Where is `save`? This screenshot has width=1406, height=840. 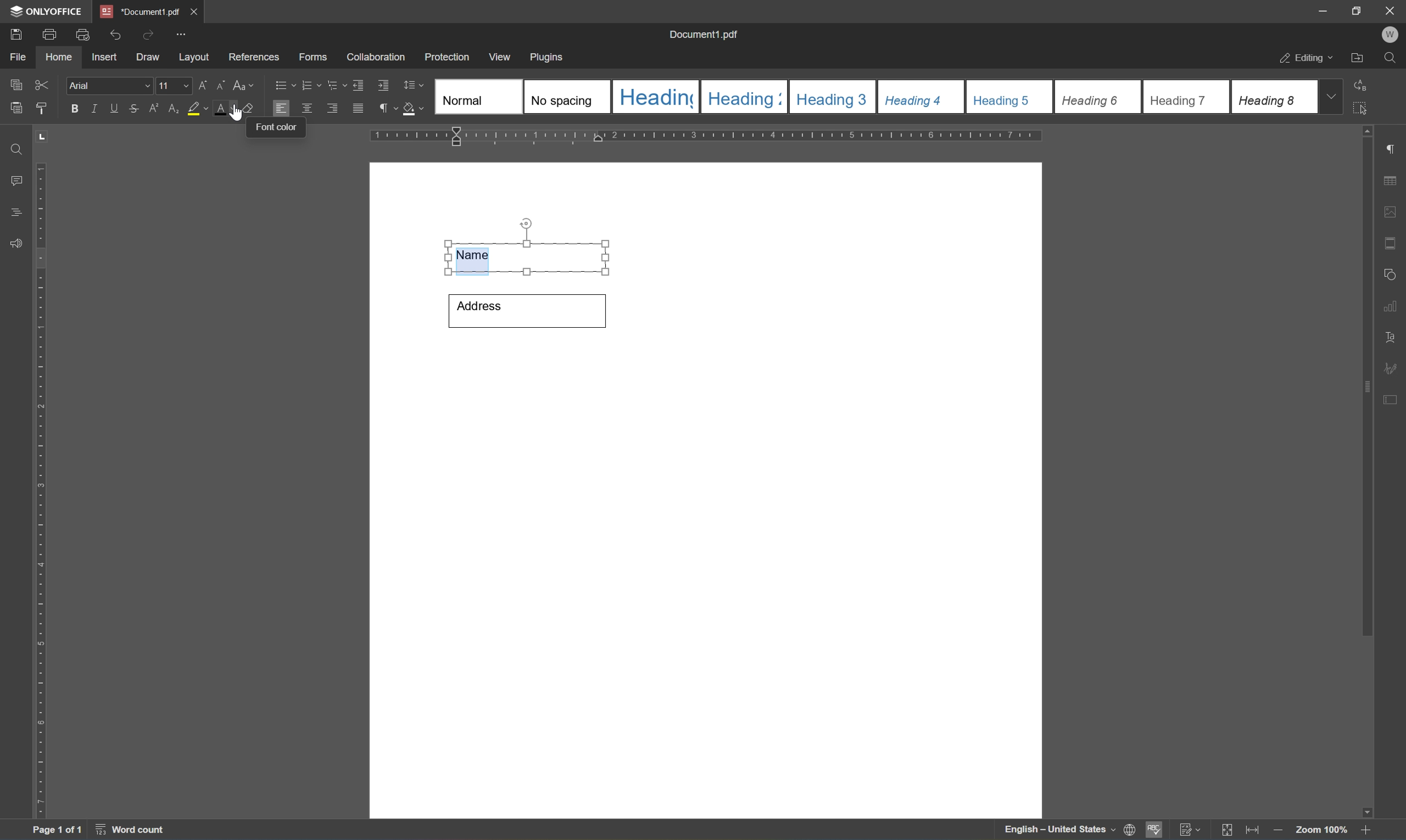 save is located at coordinates (16, 33).